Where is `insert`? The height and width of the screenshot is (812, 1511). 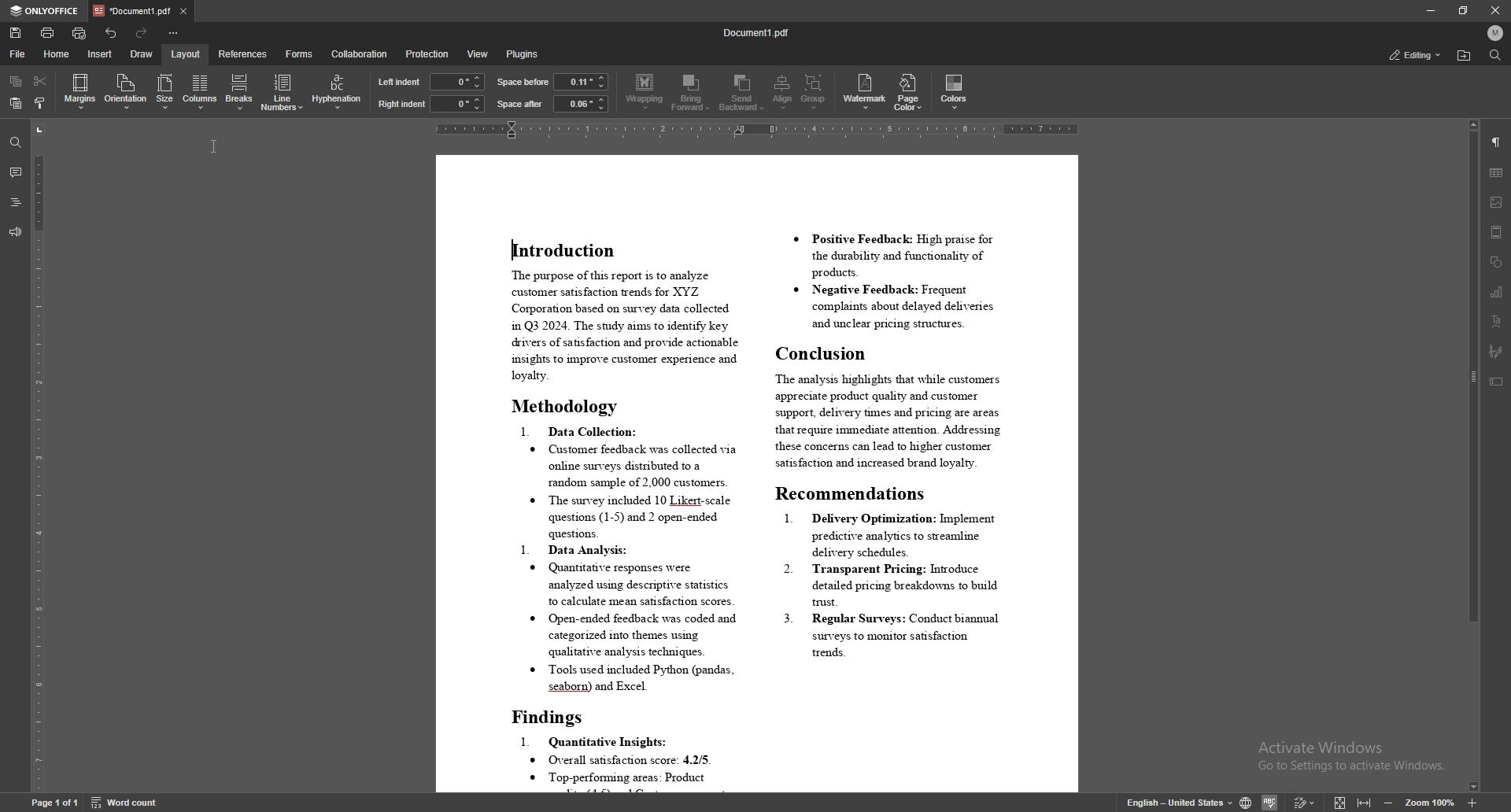 insert is located at coordinates (101, 55).